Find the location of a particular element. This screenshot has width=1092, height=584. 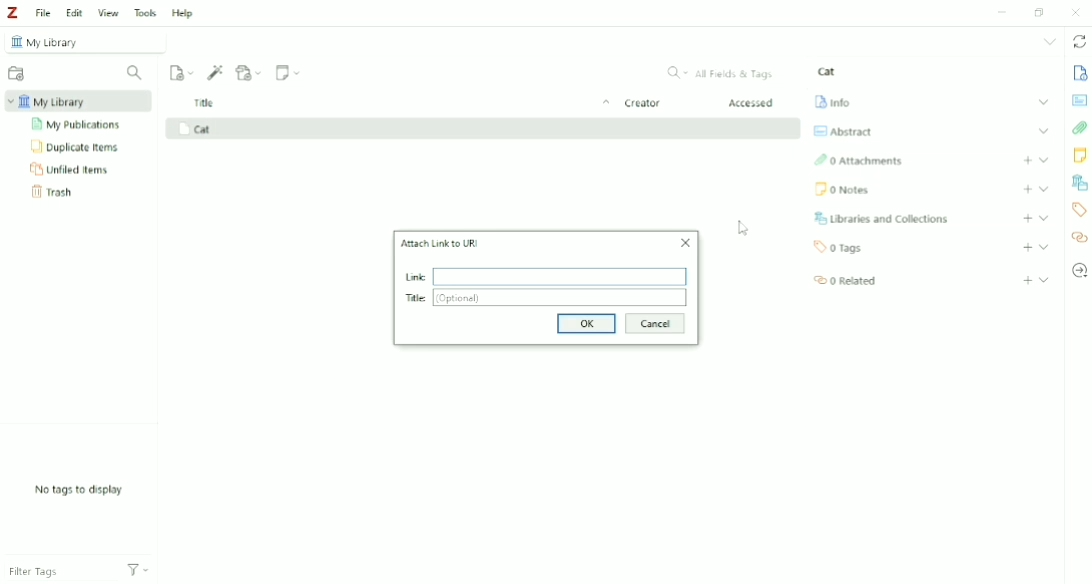

Expand section is located at coordinates (1045, 130).